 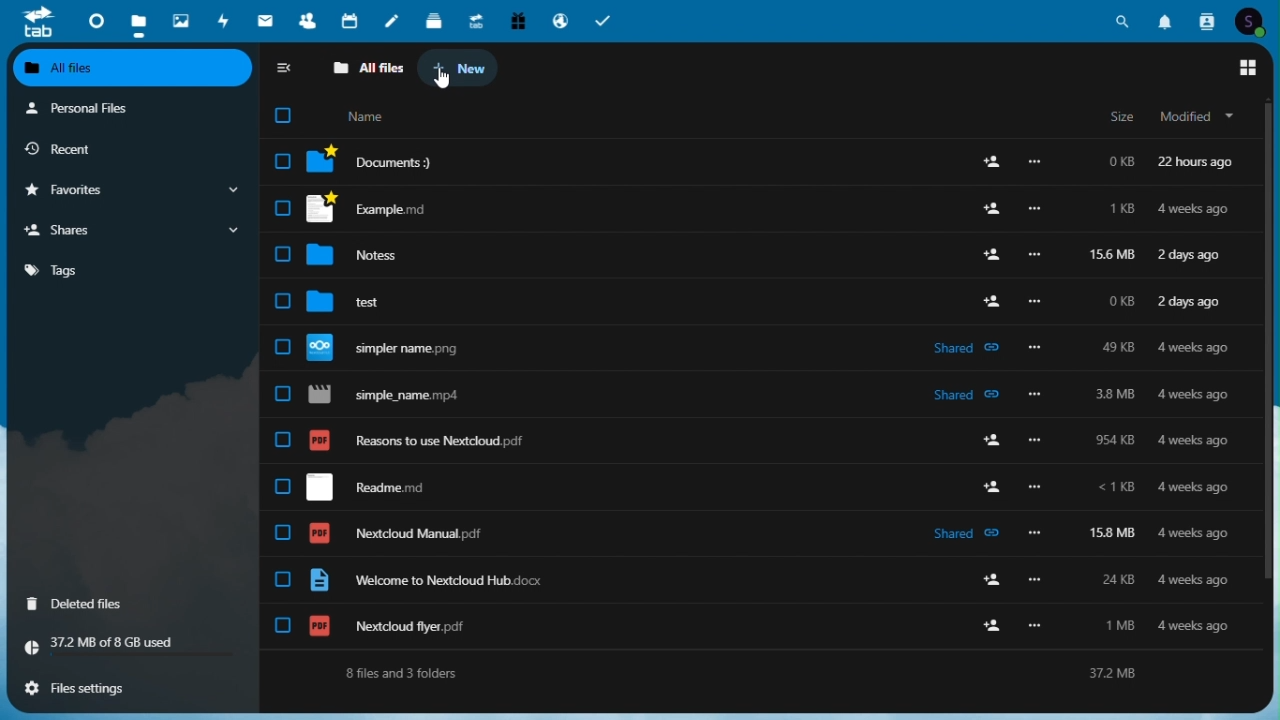 What do you see at coordinates (993, 441) in the screenshot?
I see `add user` at bounding box center [993, 441].